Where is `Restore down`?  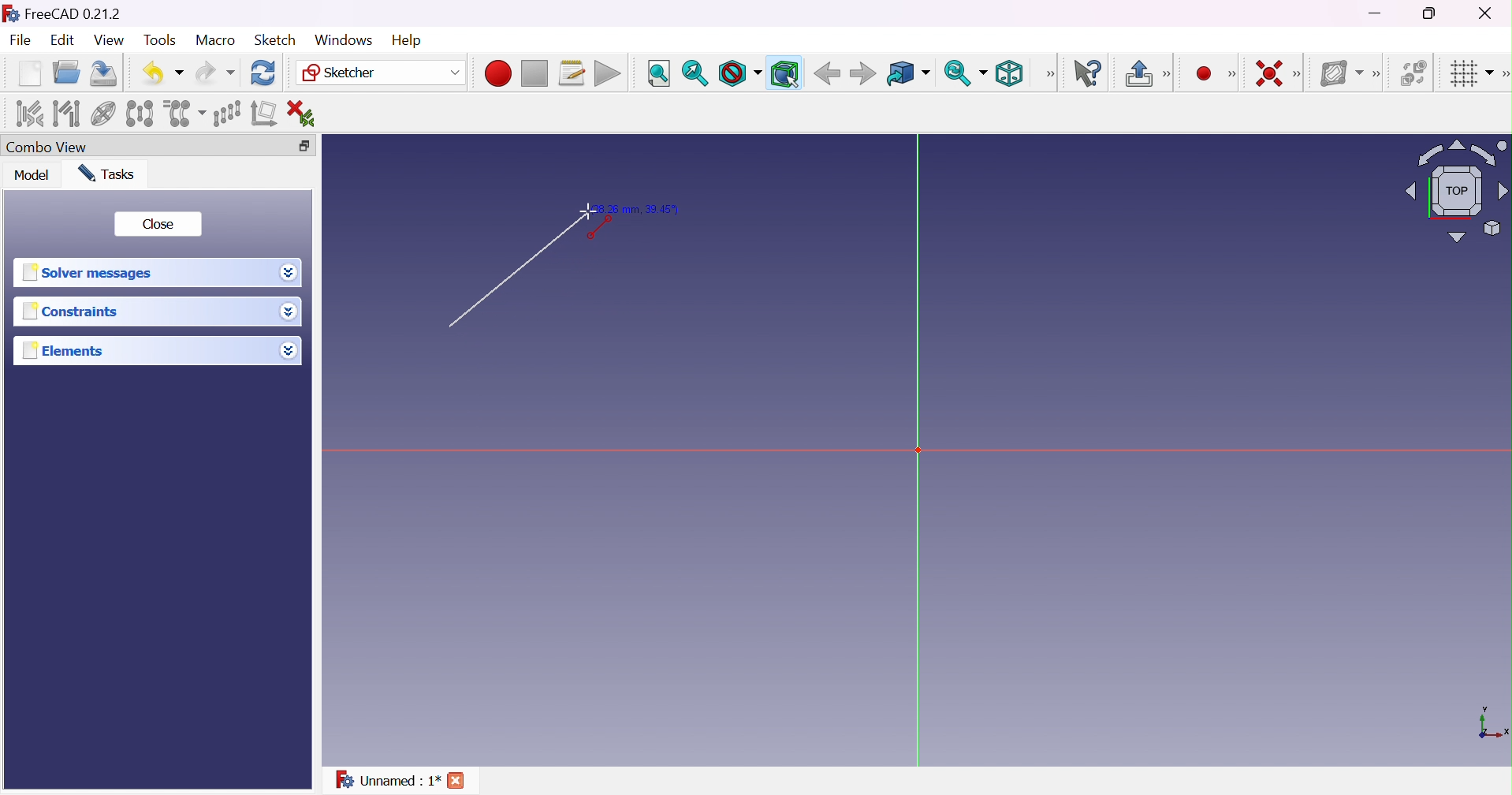
Restore down is located at coordinates (306, 144).